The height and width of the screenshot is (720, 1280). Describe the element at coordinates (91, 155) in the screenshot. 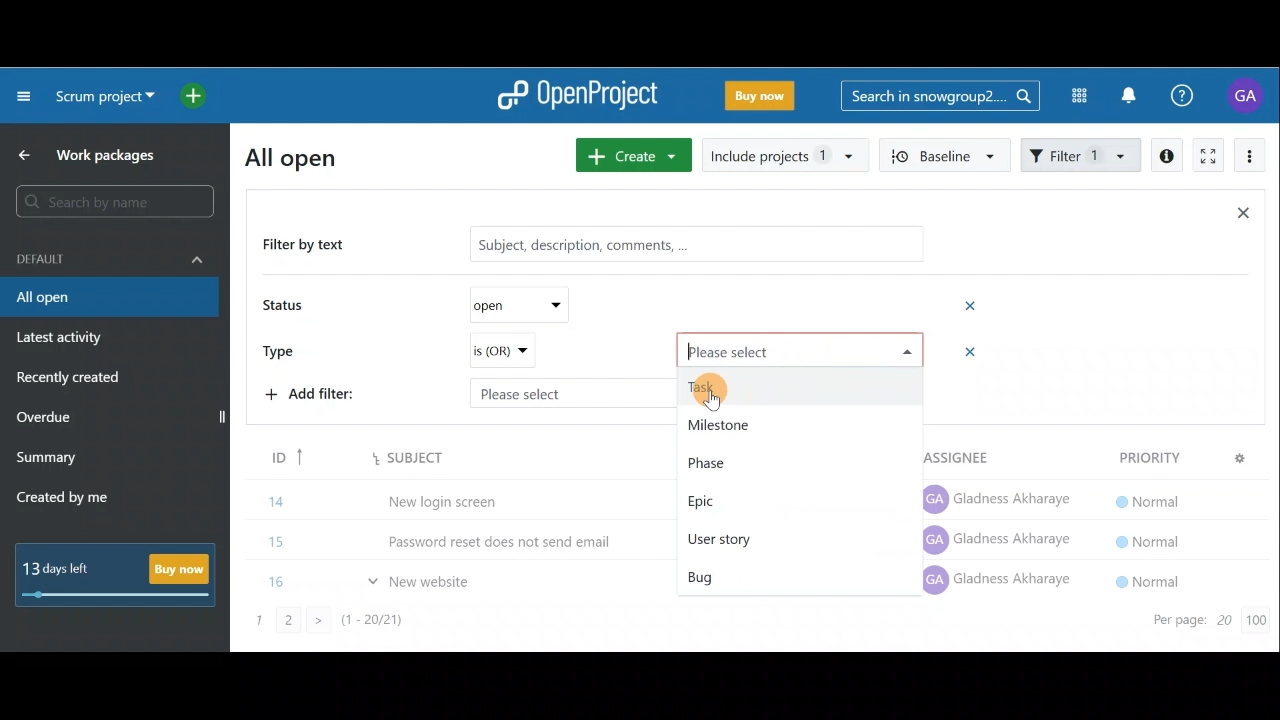

I see `Work packages` at that location.